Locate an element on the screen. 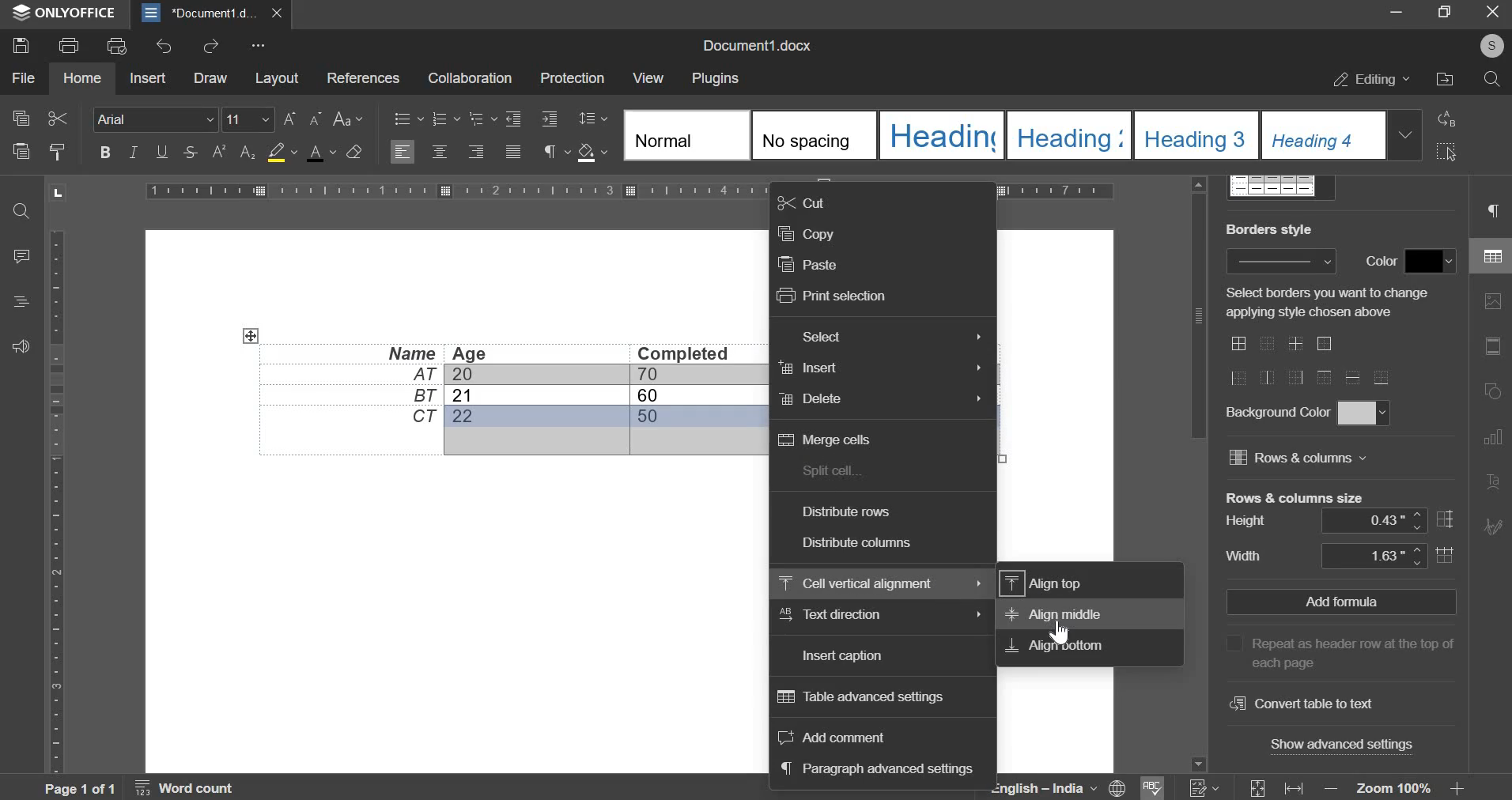 This screenshot has width=1512, height=800. Word count is located at coordinates (195, 787).